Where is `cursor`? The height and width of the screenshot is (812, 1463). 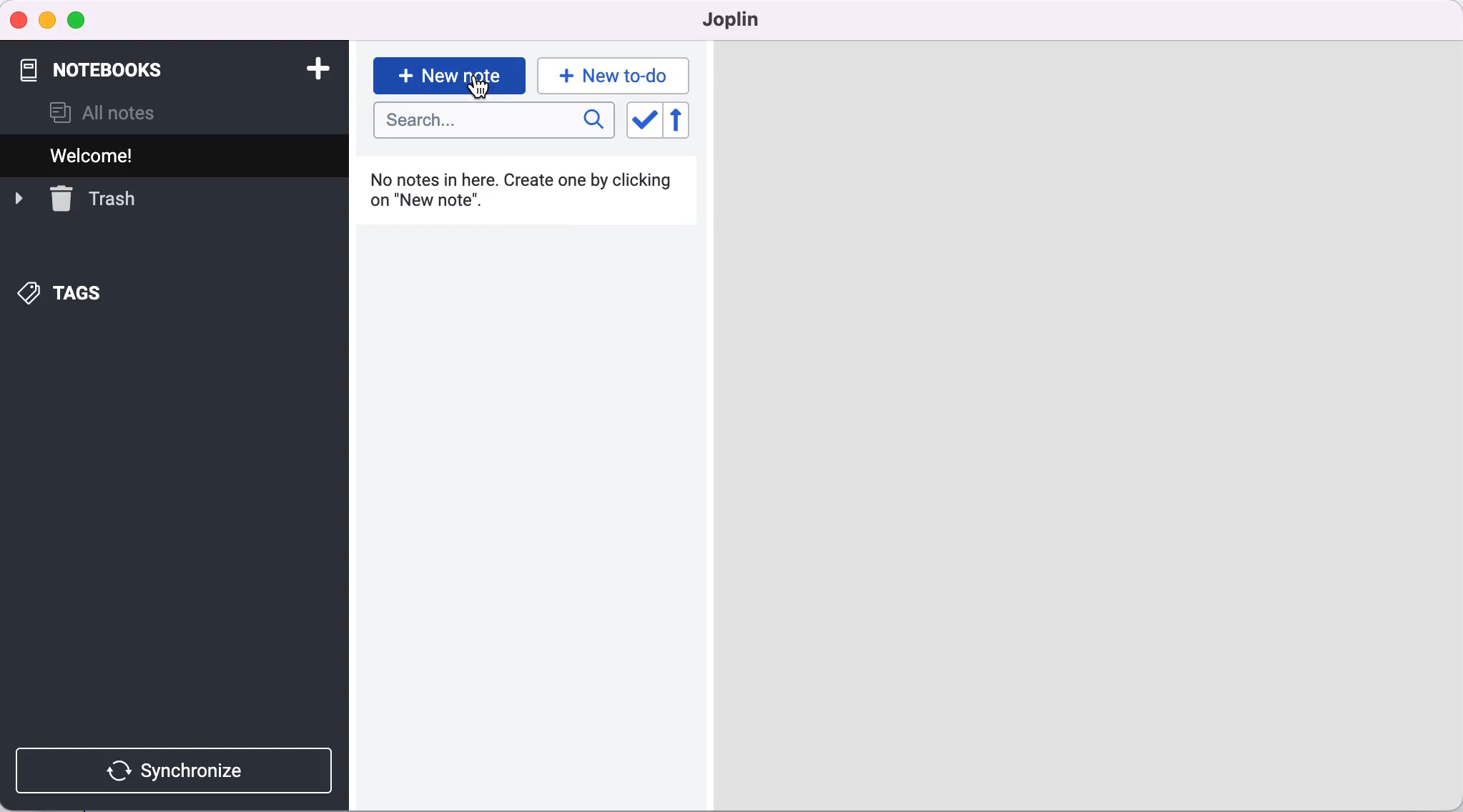 cursor is located at coordinates (481, 91).